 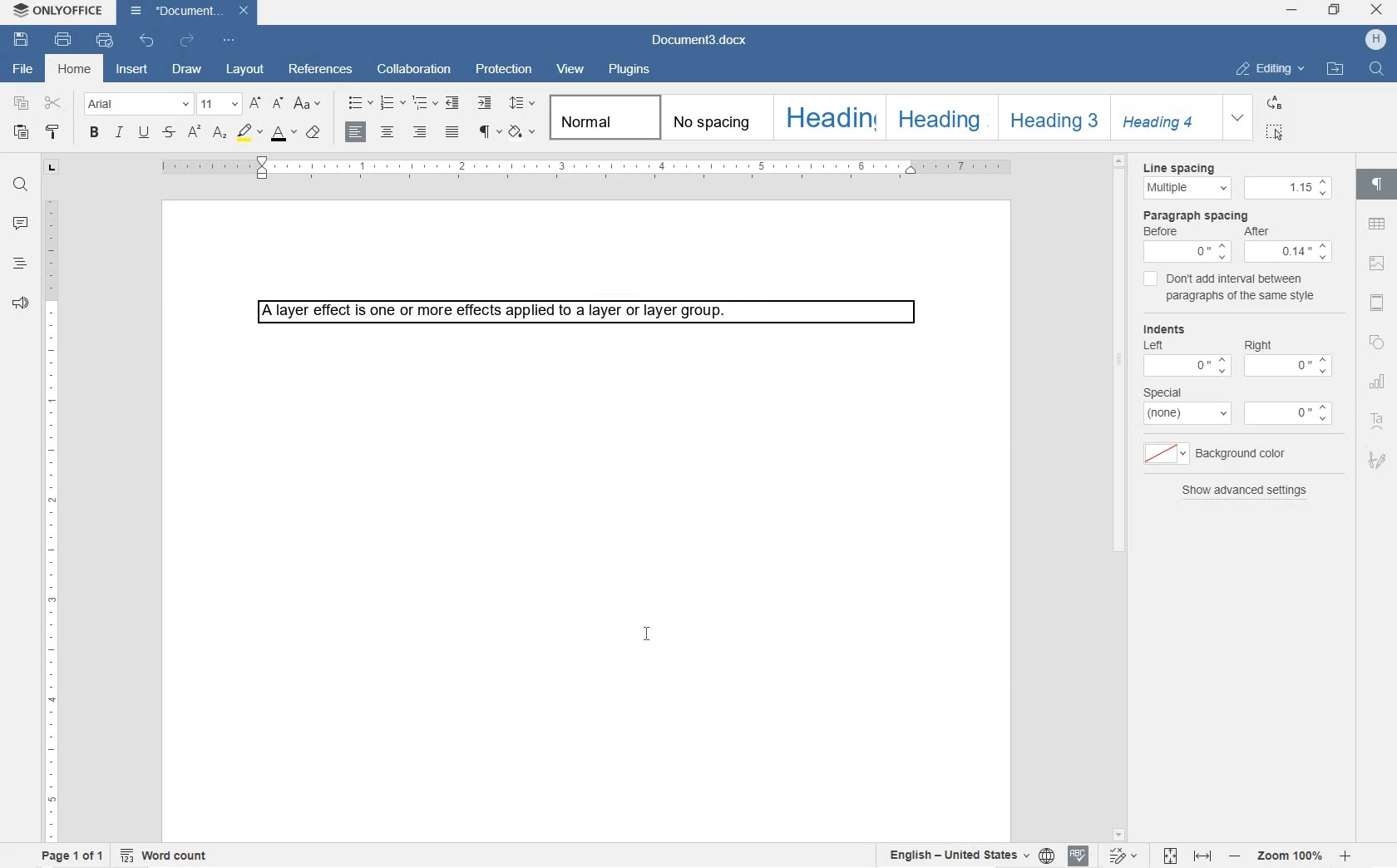 I want to click on REFERENCES, so click(x=321, y=70).